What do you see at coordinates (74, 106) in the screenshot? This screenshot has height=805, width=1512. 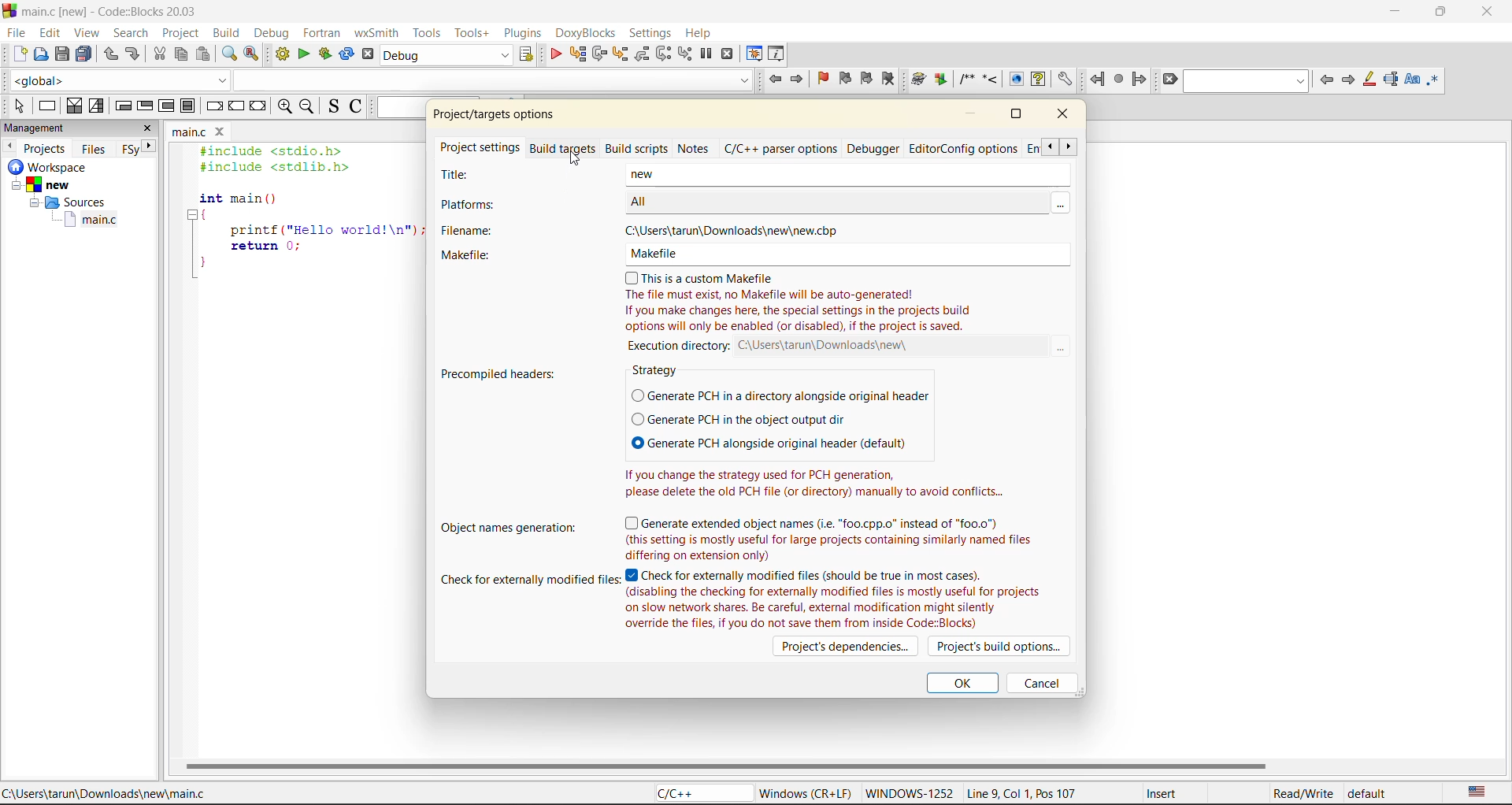 I see `decision` at bounding box center [74, 106].